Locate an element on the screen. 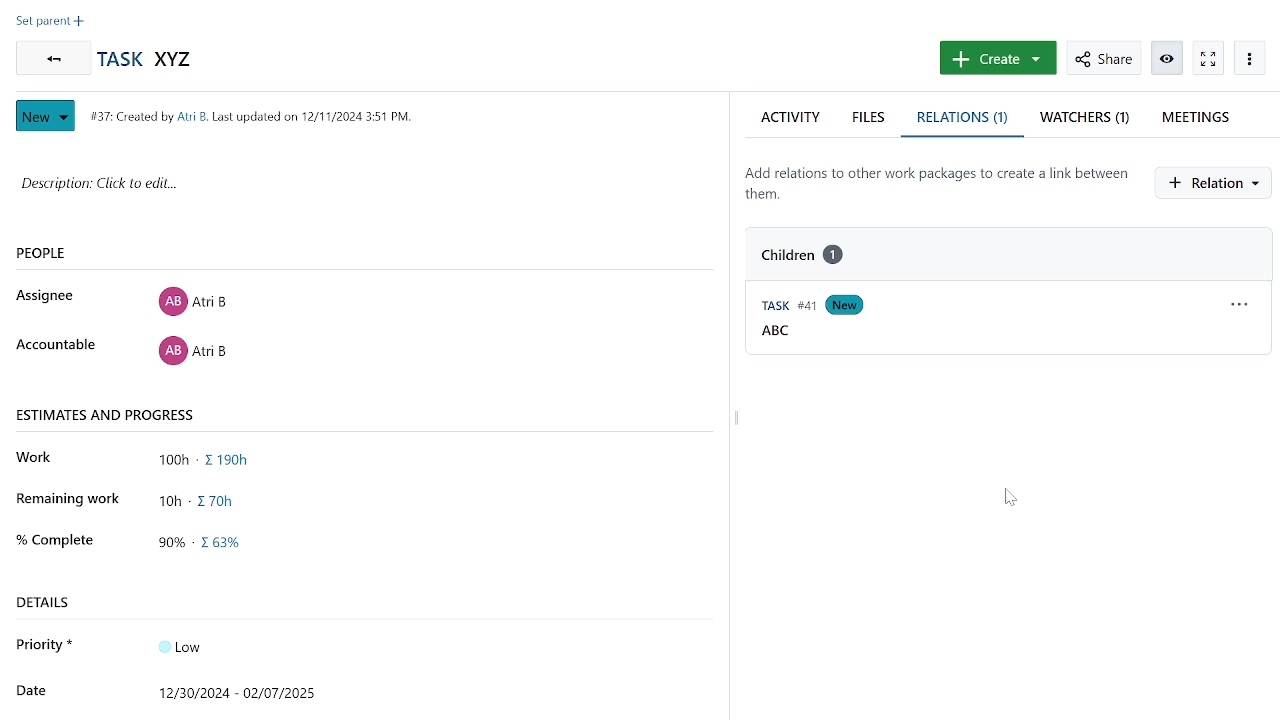 The image size is (1280, 720). work is located at coordinates (40, 458).